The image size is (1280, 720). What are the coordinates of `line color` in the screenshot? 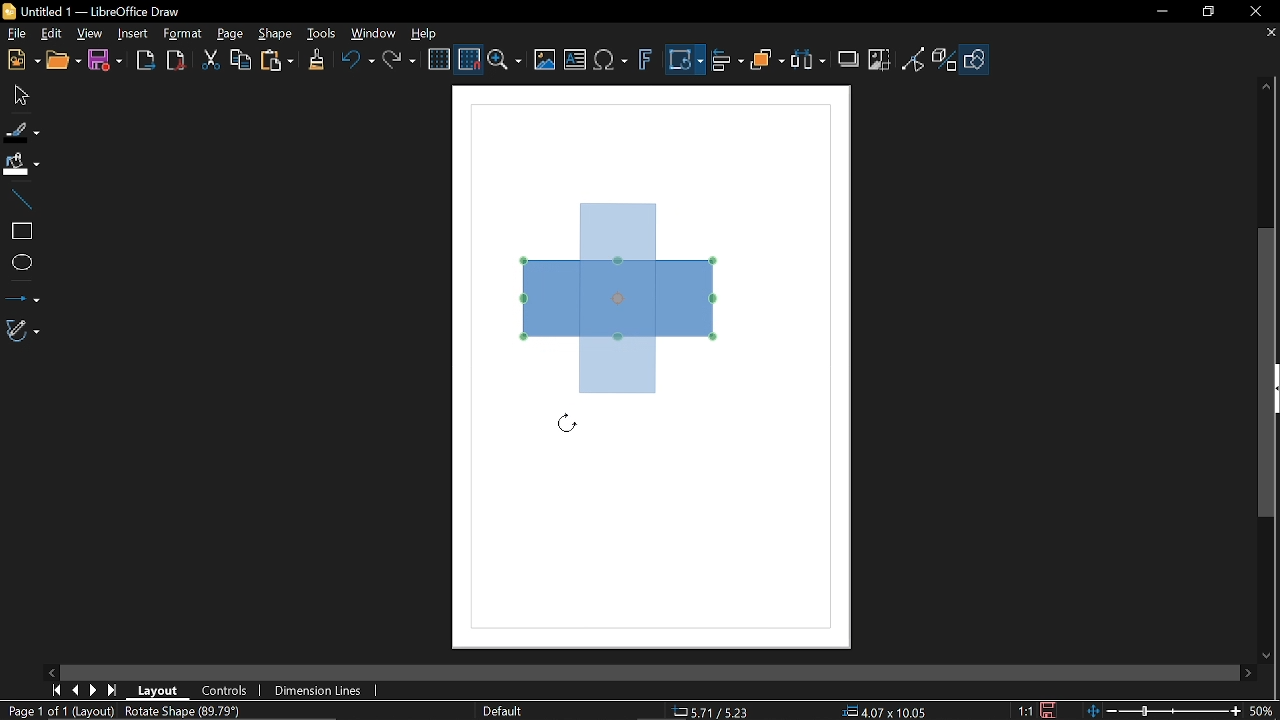 It's located at (21, 128).